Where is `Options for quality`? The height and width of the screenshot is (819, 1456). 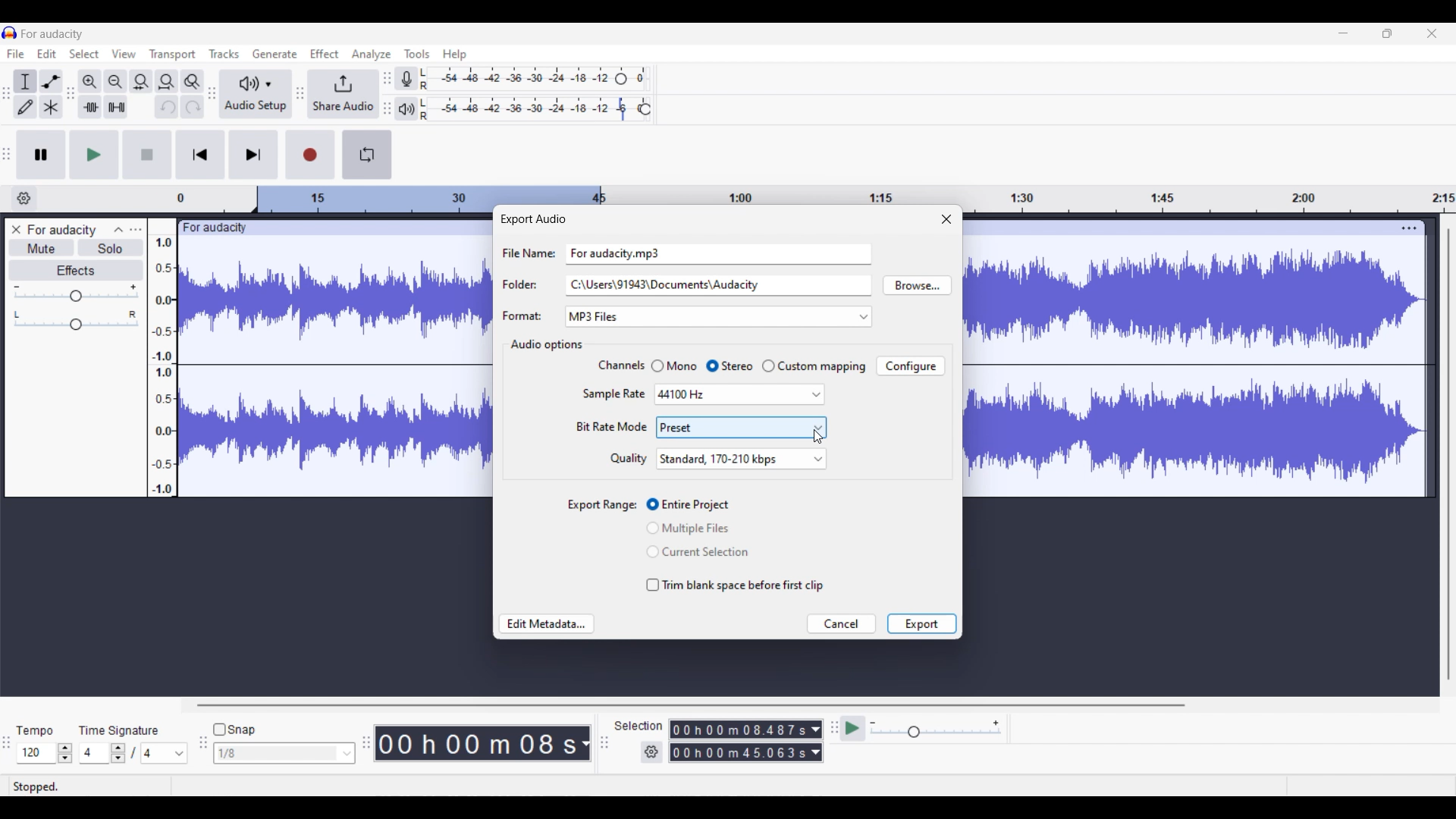 Options for quality is located at coordinates (741, 459).